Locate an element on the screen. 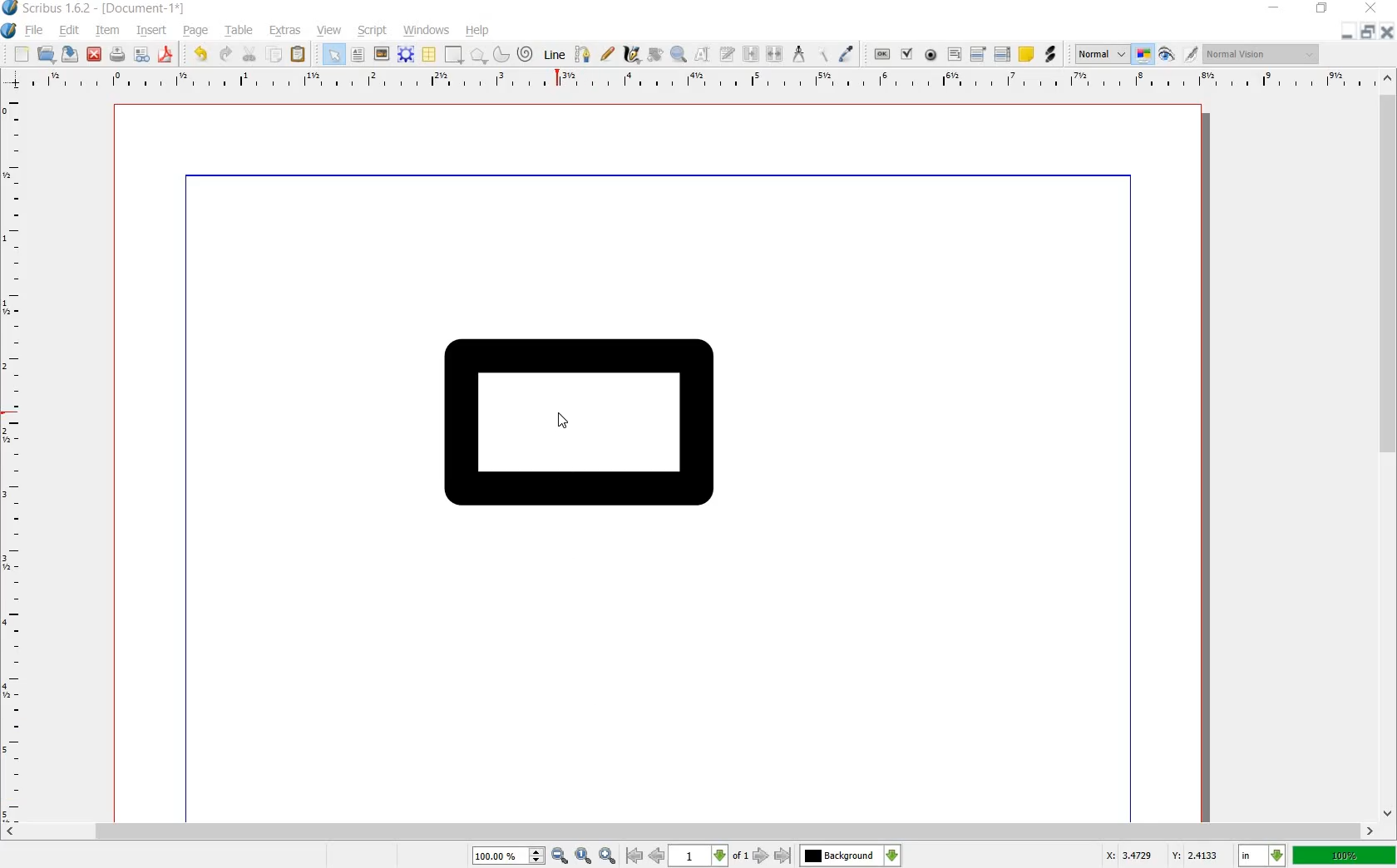 The image size is (1397, 868). edit in preview mode is located at coordinates (1178, 57).